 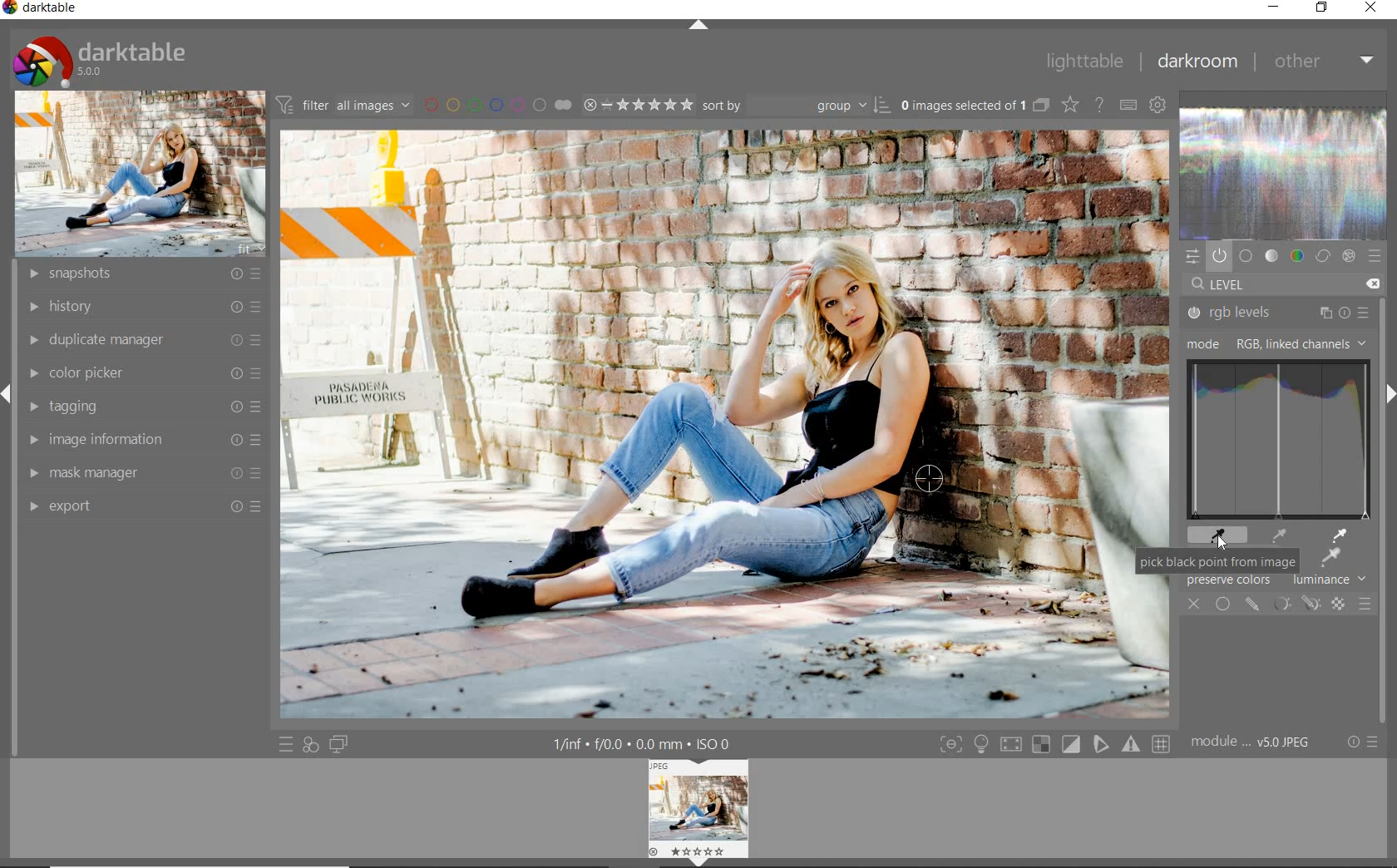 I want to click on export, so click(x=141, y=506).